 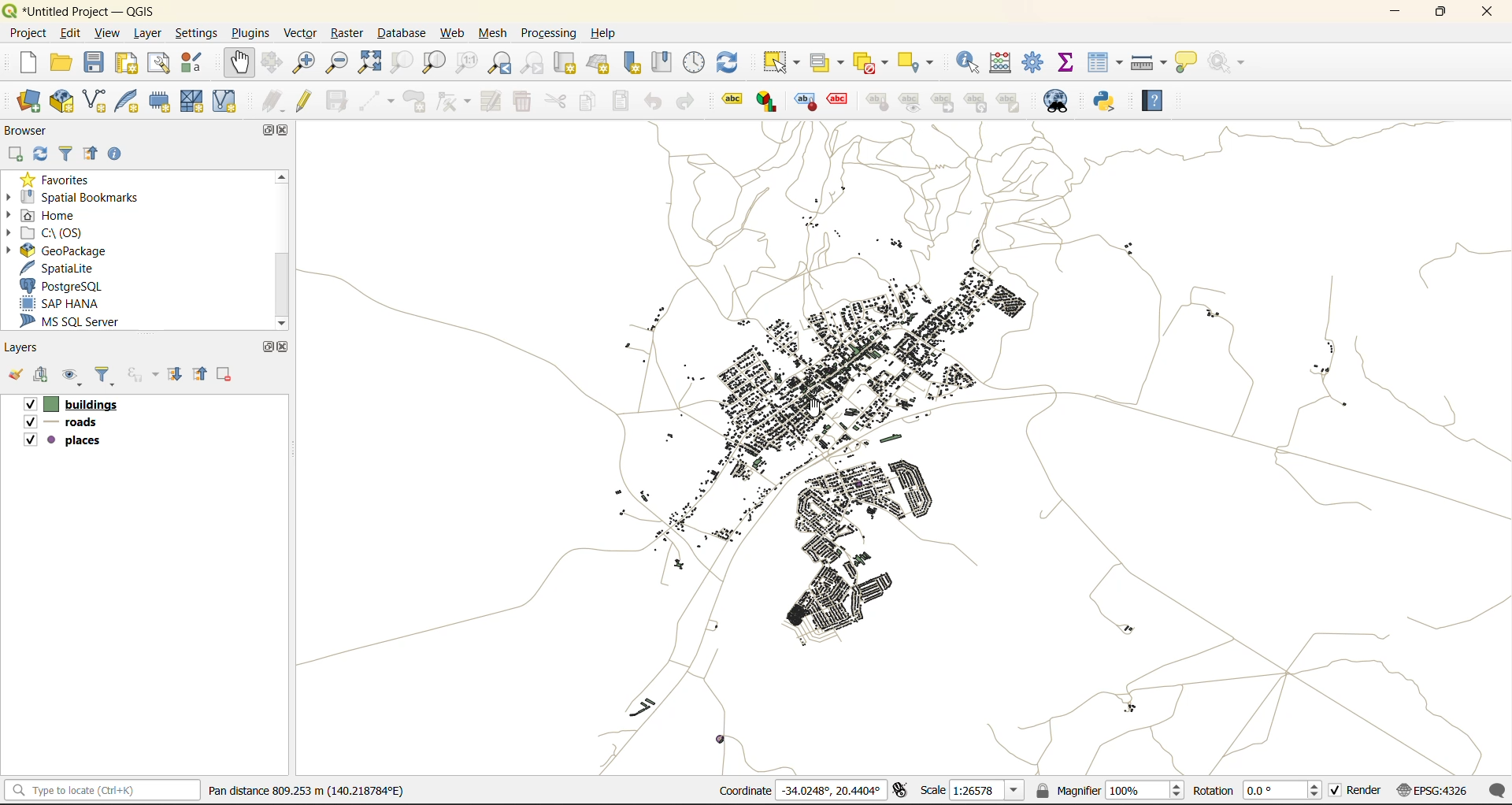 I want to click on Style, so click(x=805, y=101).